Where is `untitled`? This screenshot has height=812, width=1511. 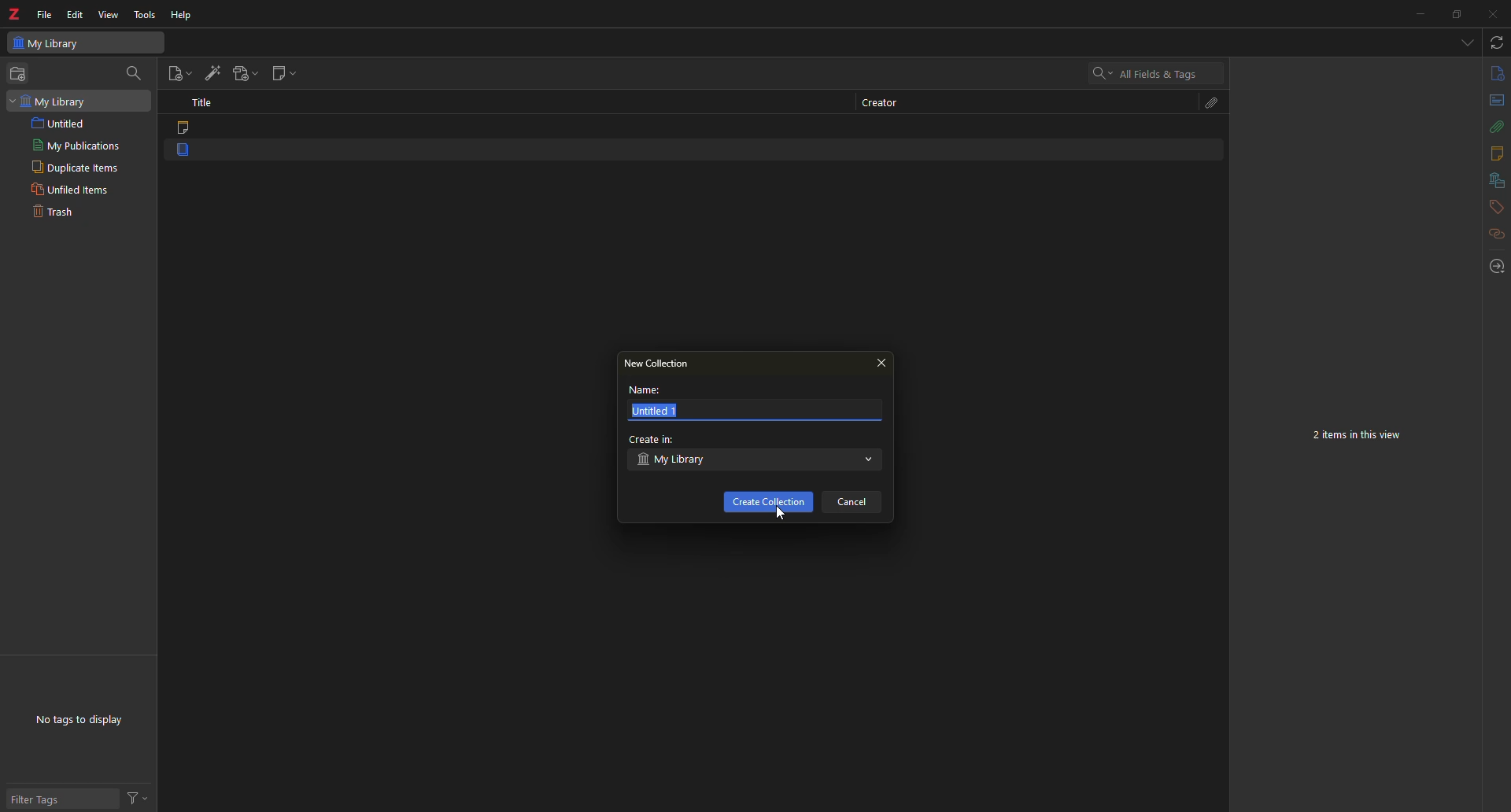
untitled is located at coordinates (61, 123).